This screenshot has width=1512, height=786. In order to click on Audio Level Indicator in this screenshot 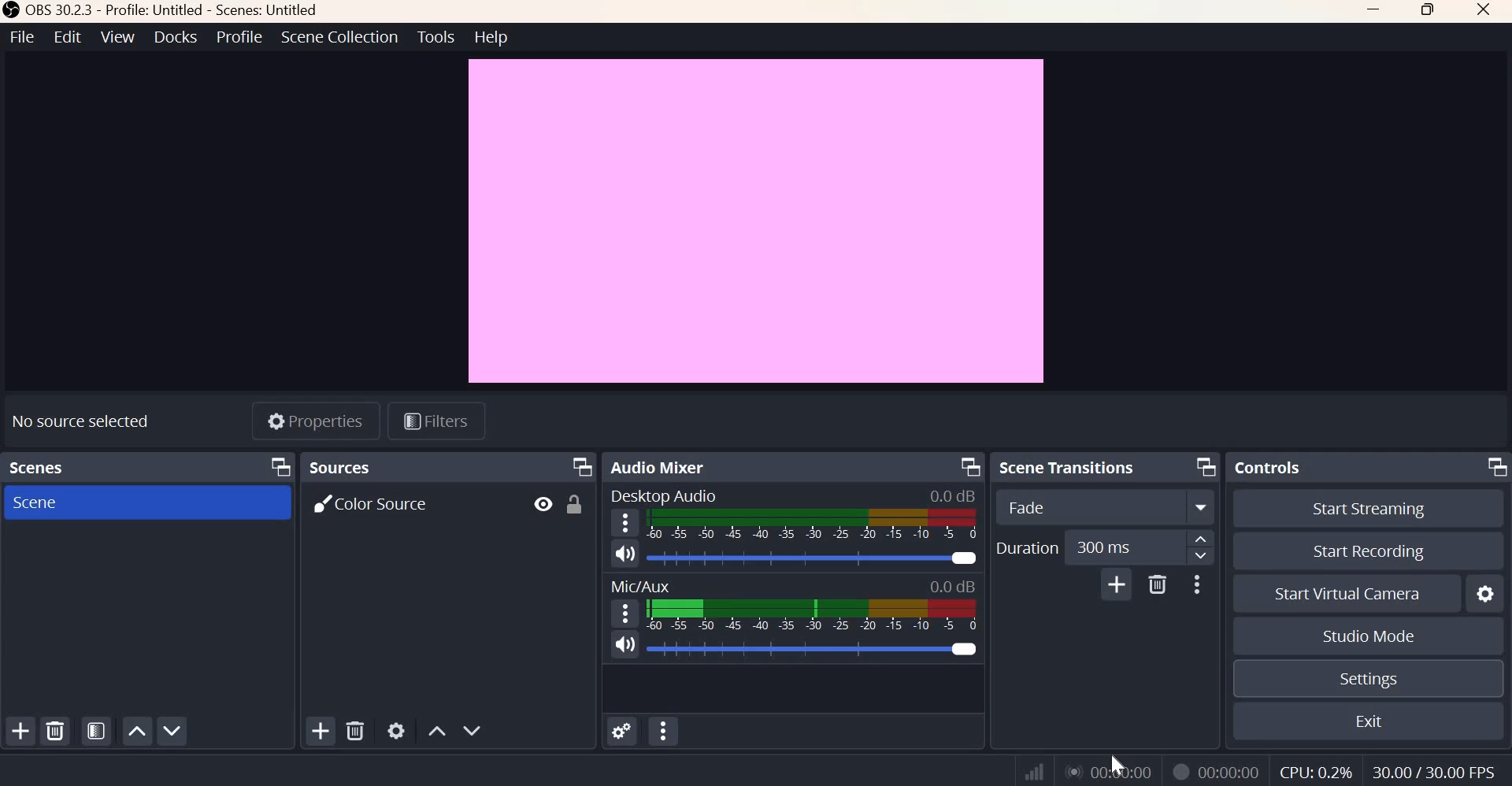, I will do `click(954, 495)`.